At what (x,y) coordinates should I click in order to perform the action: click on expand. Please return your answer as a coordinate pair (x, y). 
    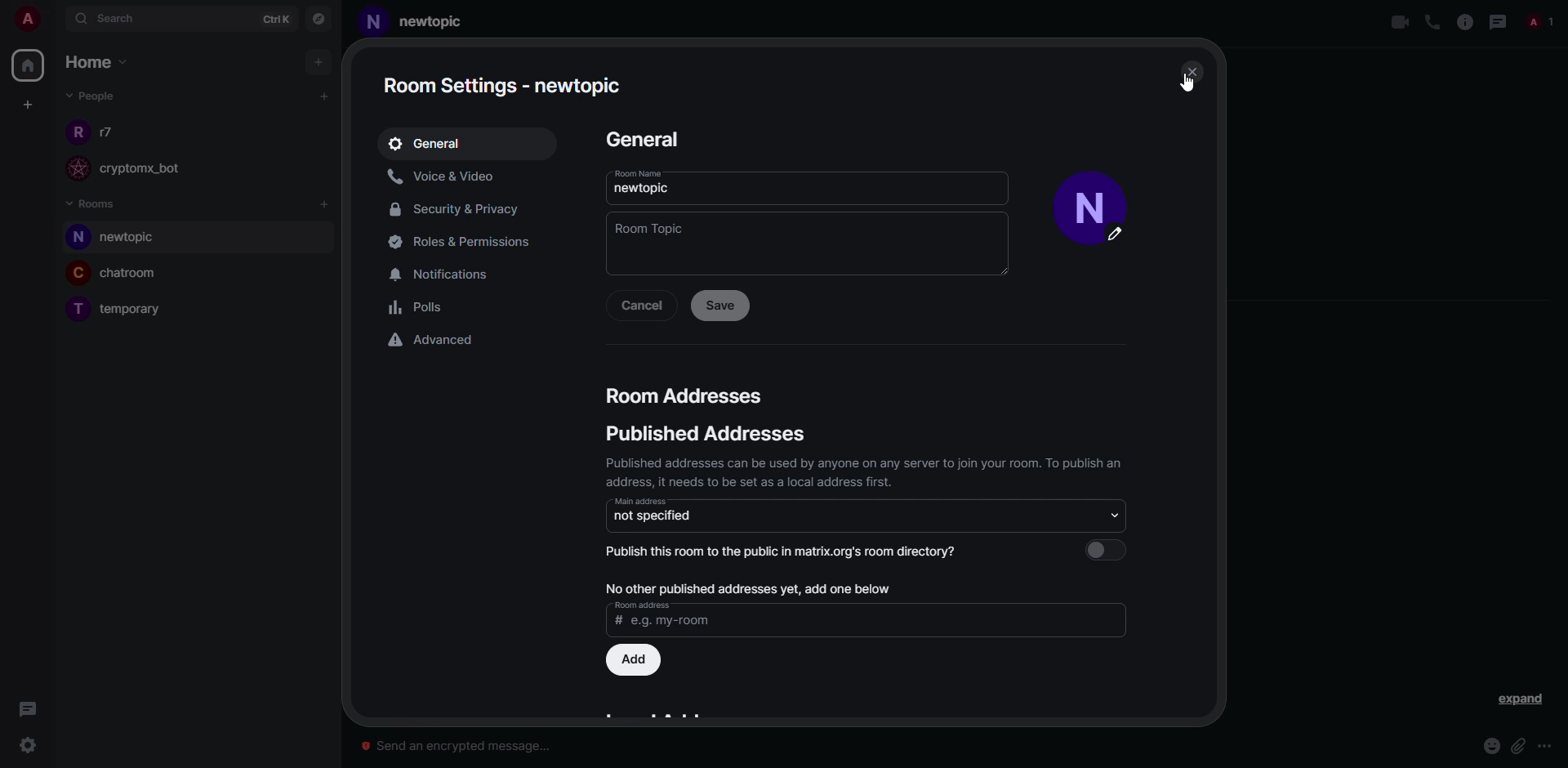
    Looking at the image, I should click on (1520, 700).